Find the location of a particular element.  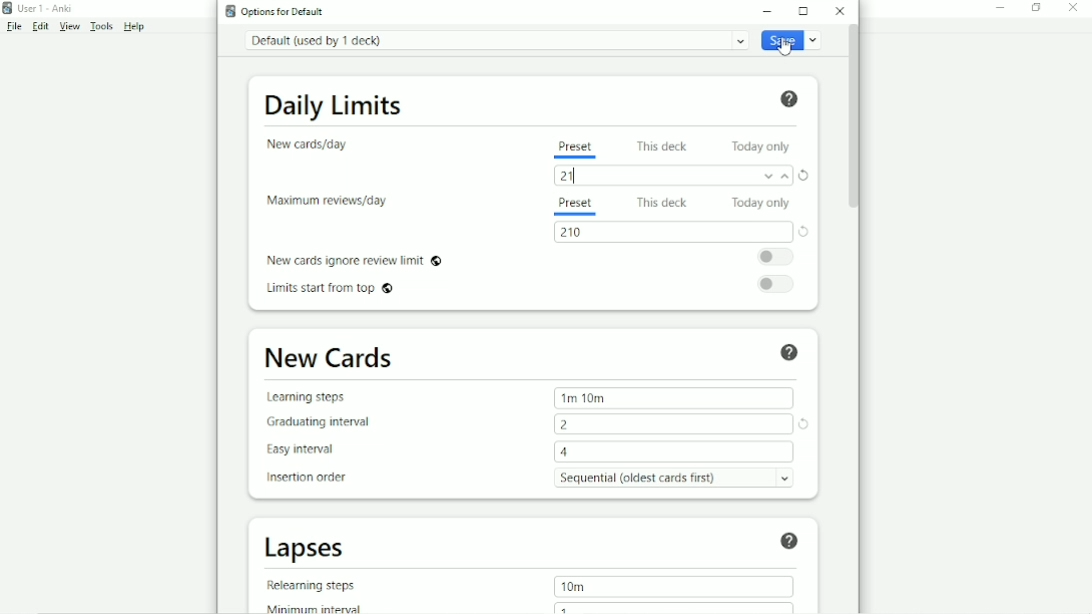

Minimize is located at coordinates (999, 9).